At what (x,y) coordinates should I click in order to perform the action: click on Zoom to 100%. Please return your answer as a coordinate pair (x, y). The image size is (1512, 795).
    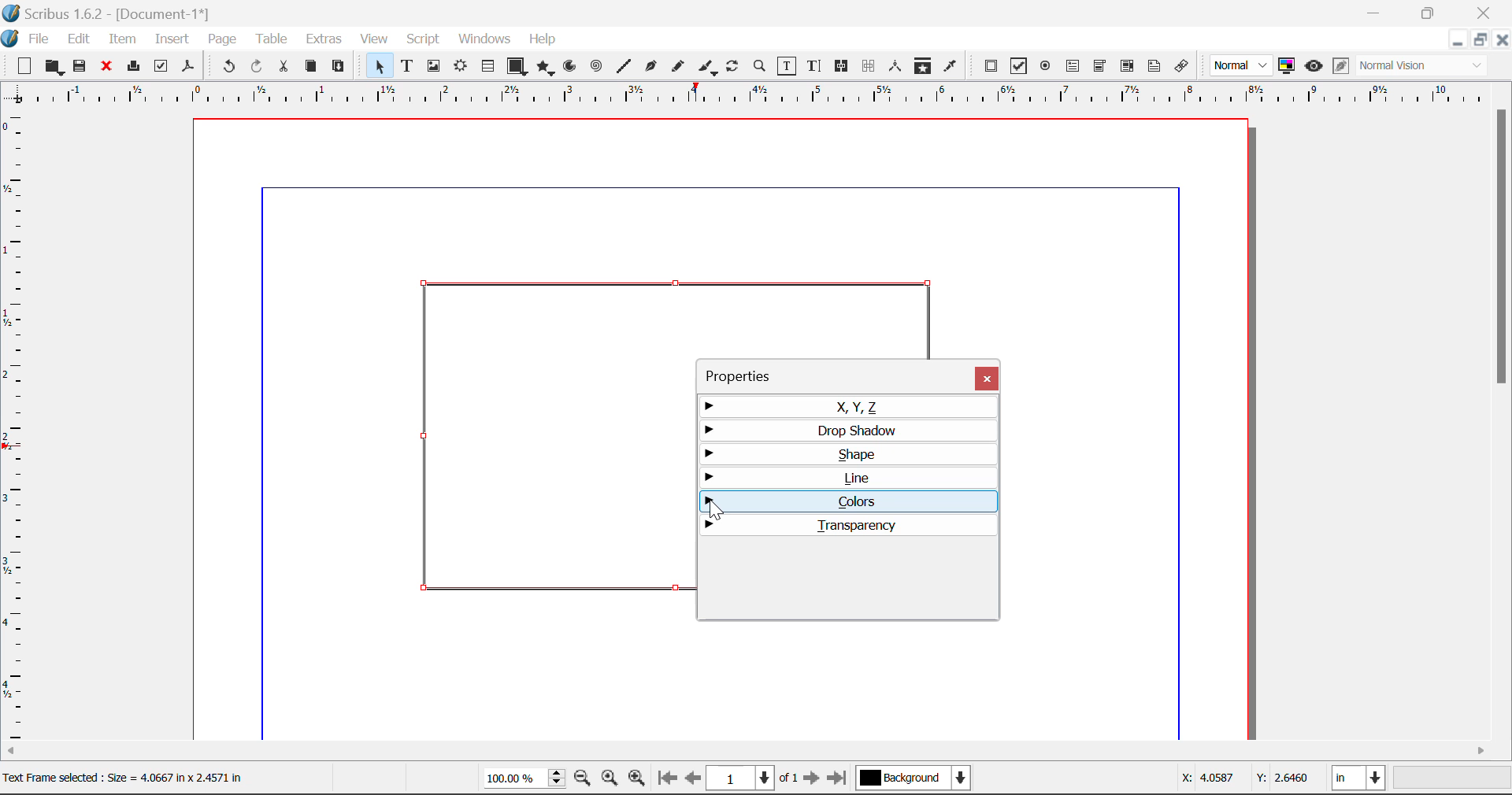
    Looking at the image, I should click on (610, 780).